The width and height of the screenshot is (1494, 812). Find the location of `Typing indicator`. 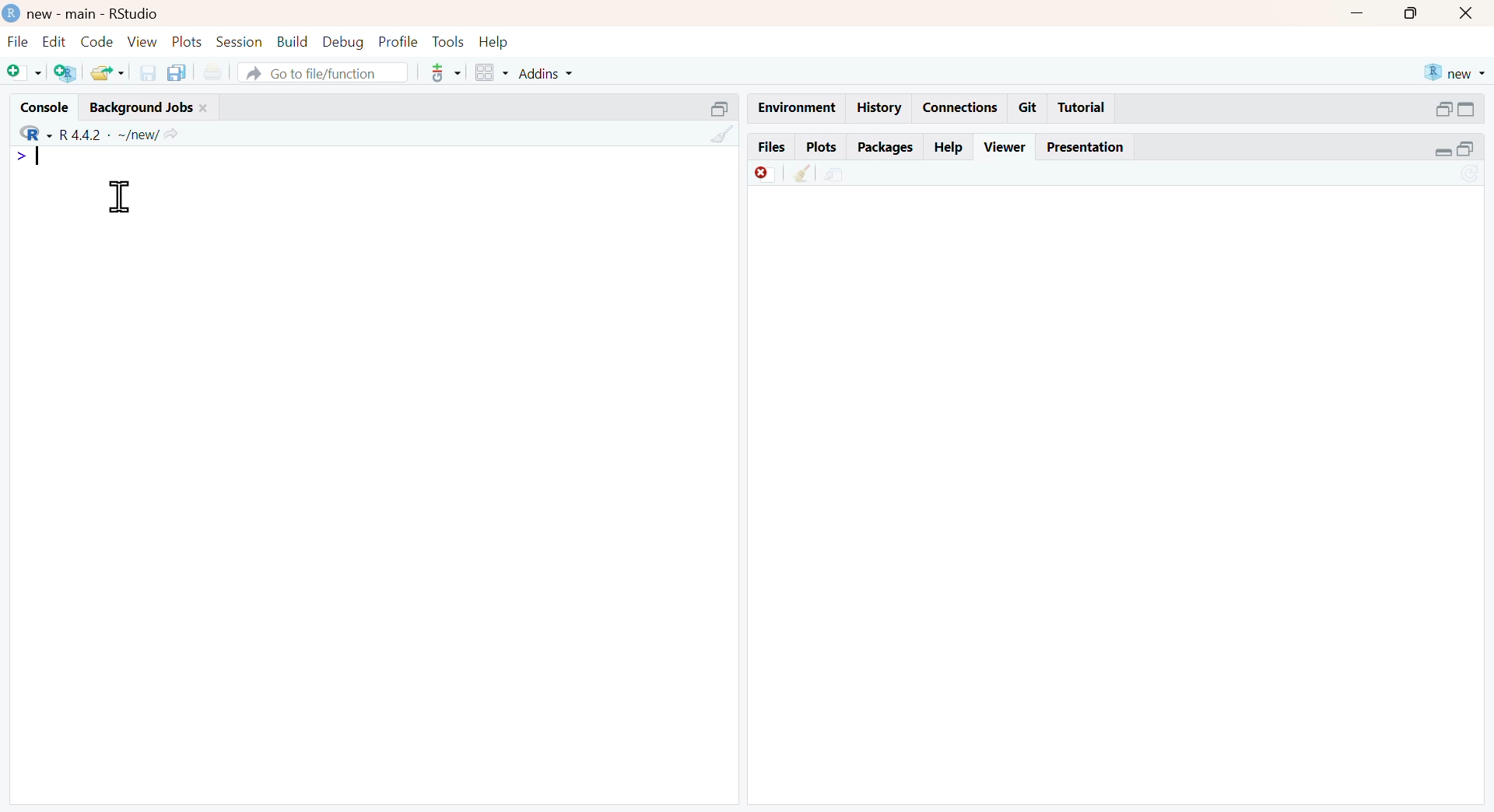

Typing indicator is located at coordinates (37, 156).